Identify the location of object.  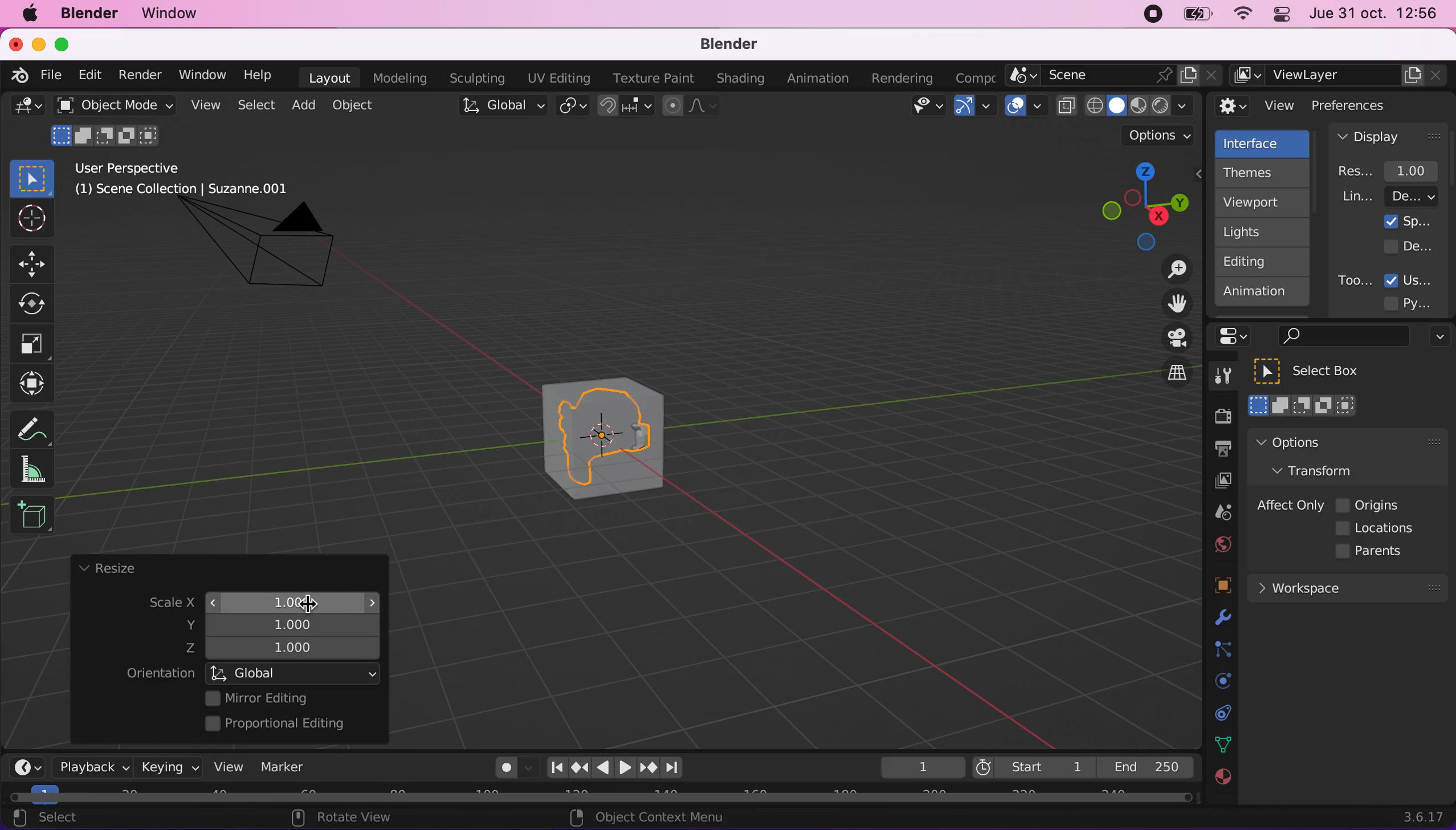
(356, 105).